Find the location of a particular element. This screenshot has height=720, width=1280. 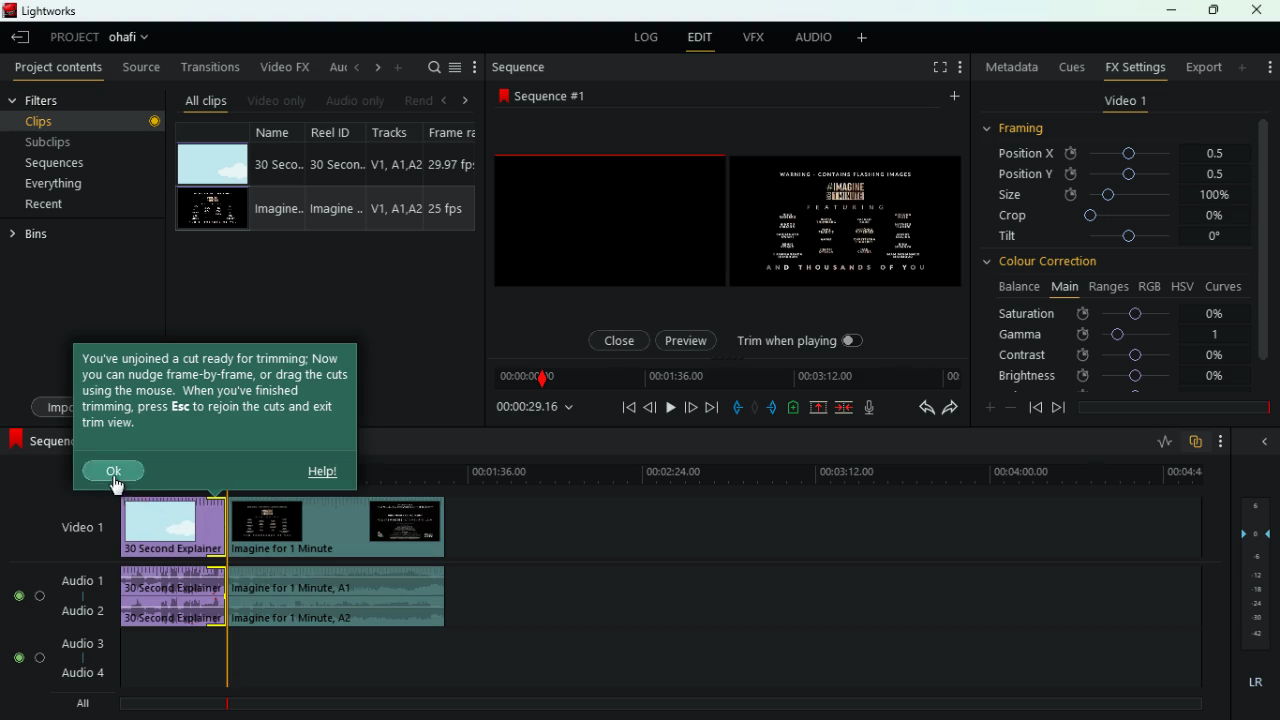

audio 4 is located at coordinates (82, 674).